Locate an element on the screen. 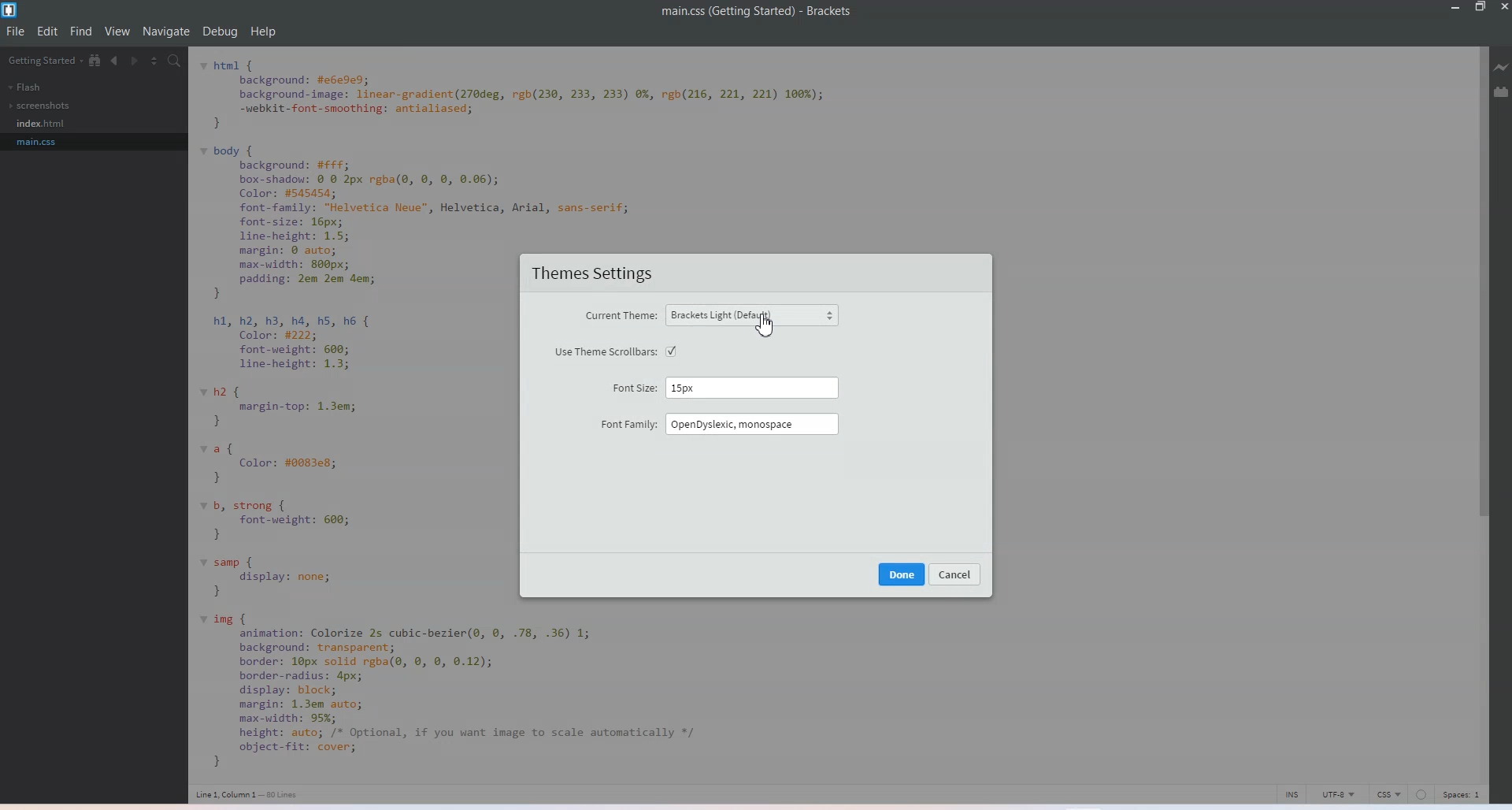  UTF-8 is located at coordinates (1340, 793).